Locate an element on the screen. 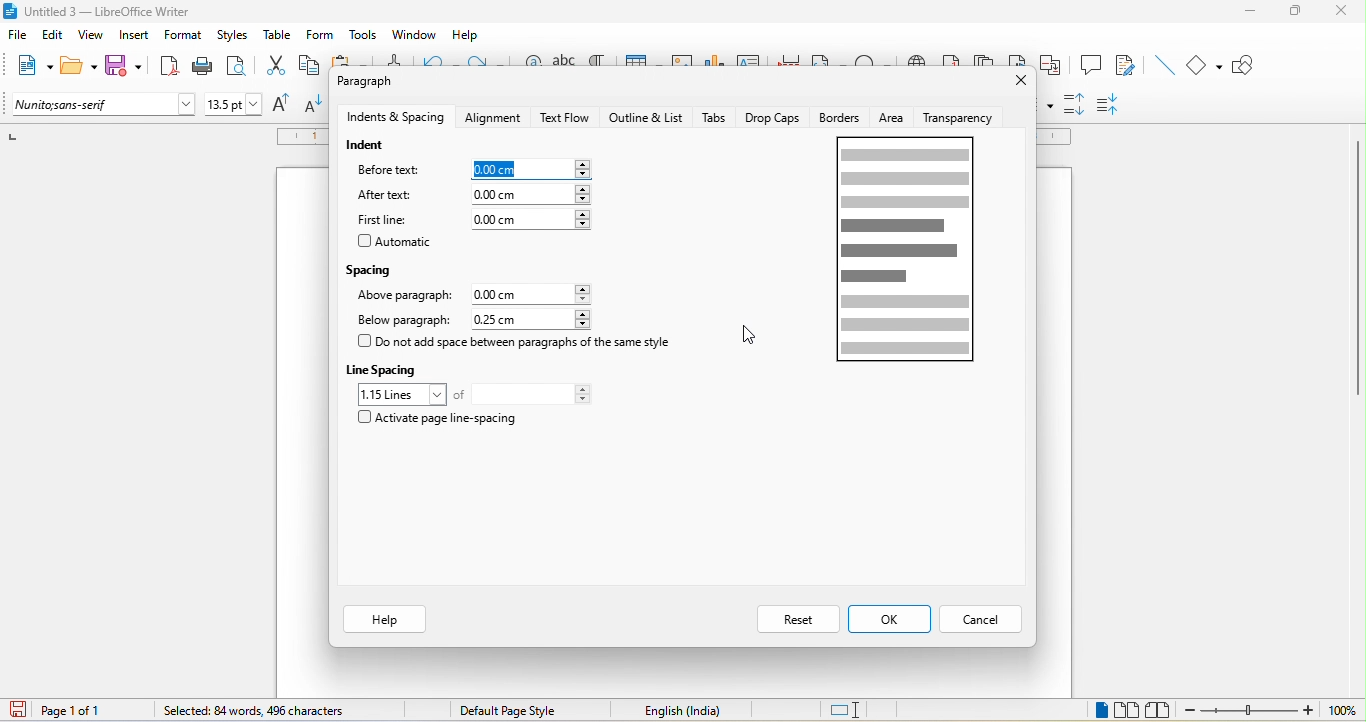 This screenshot has height=722, width=1366. spacing is located at coordinates (377, 273).